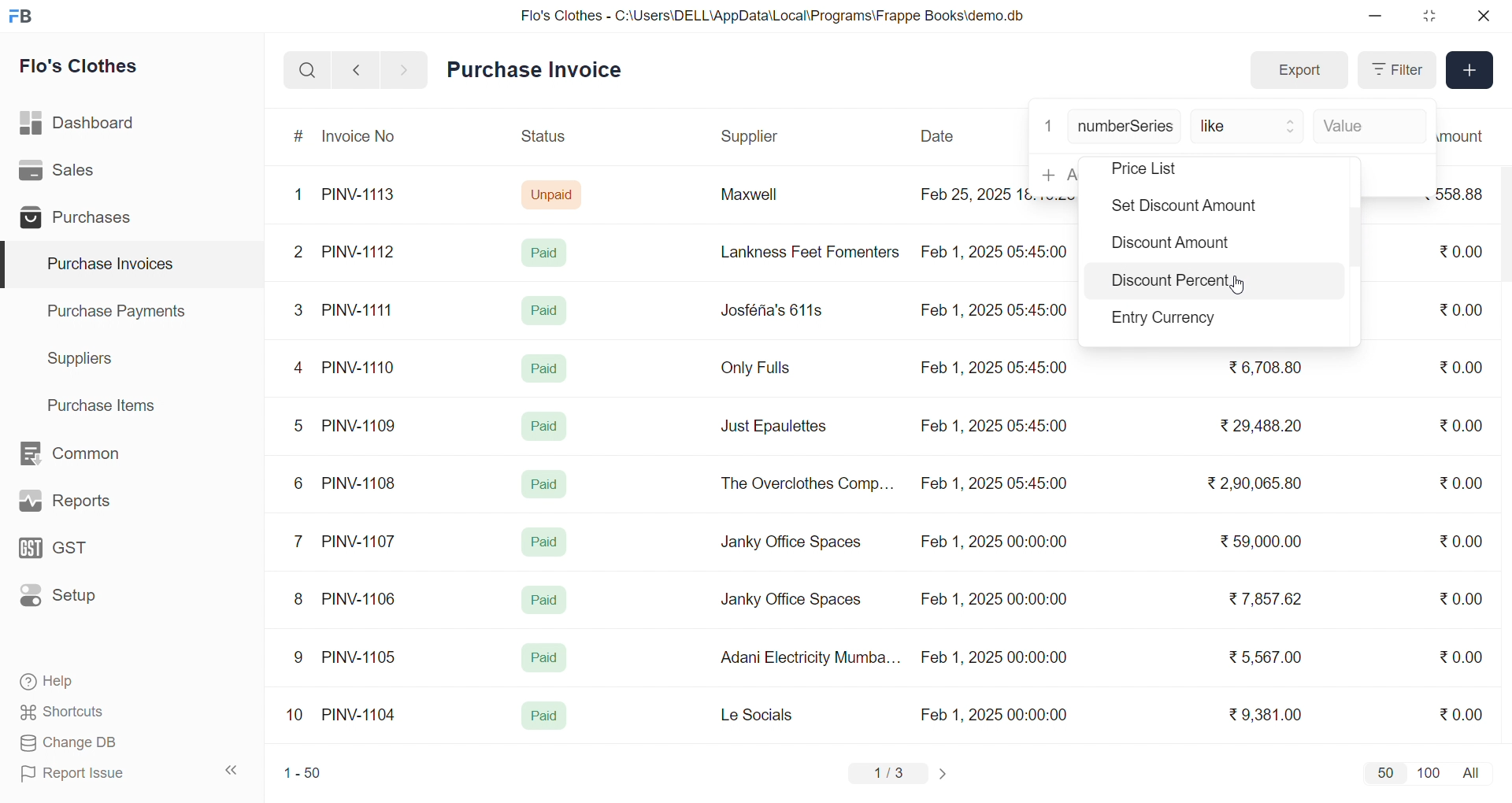 This screenshot has height=803, width=1512. I want to click on logo, so click(24, 17).